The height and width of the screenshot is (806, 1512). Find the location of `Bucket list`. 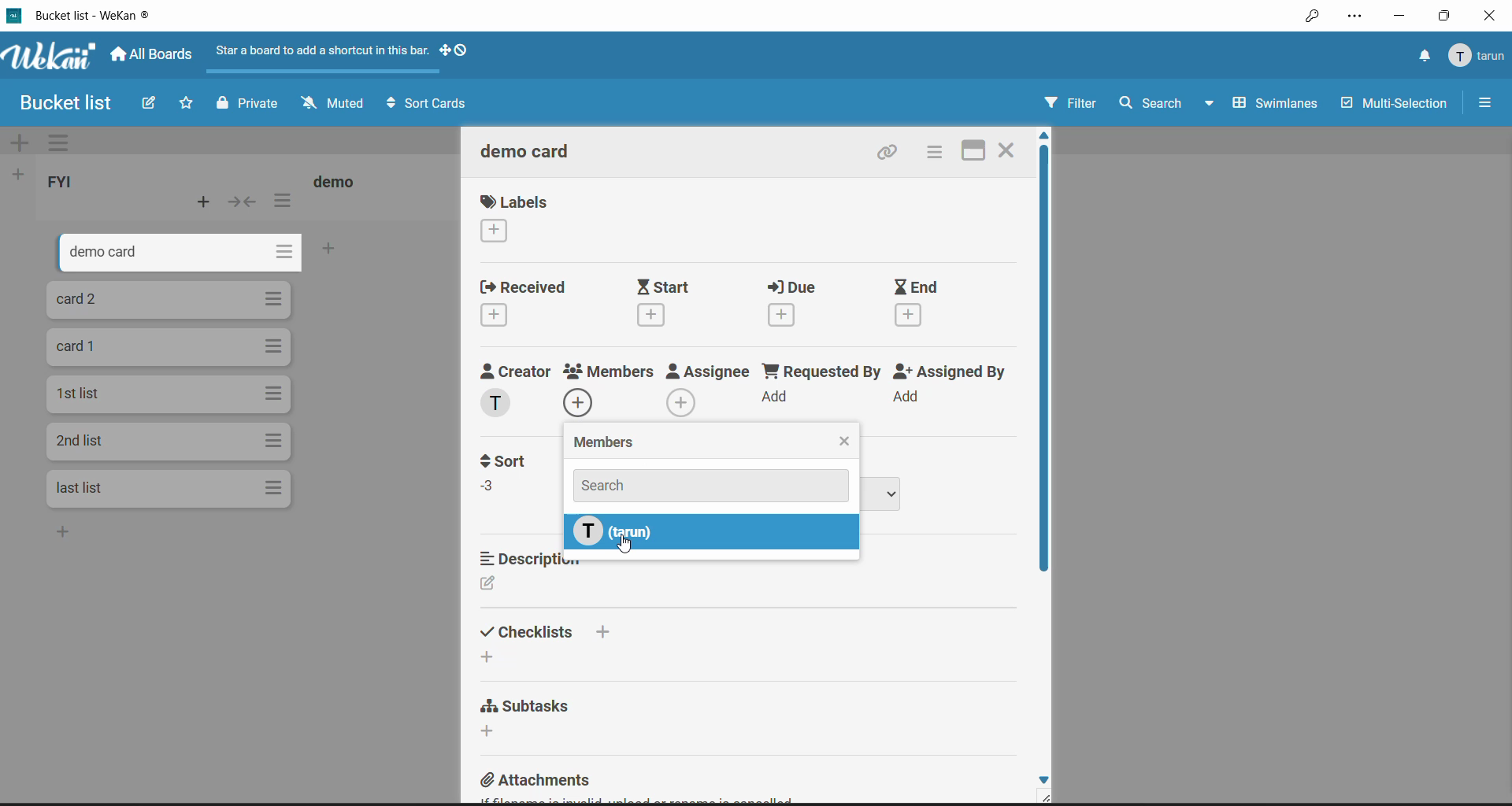

Bucket list is located at coordinates (63, 102).